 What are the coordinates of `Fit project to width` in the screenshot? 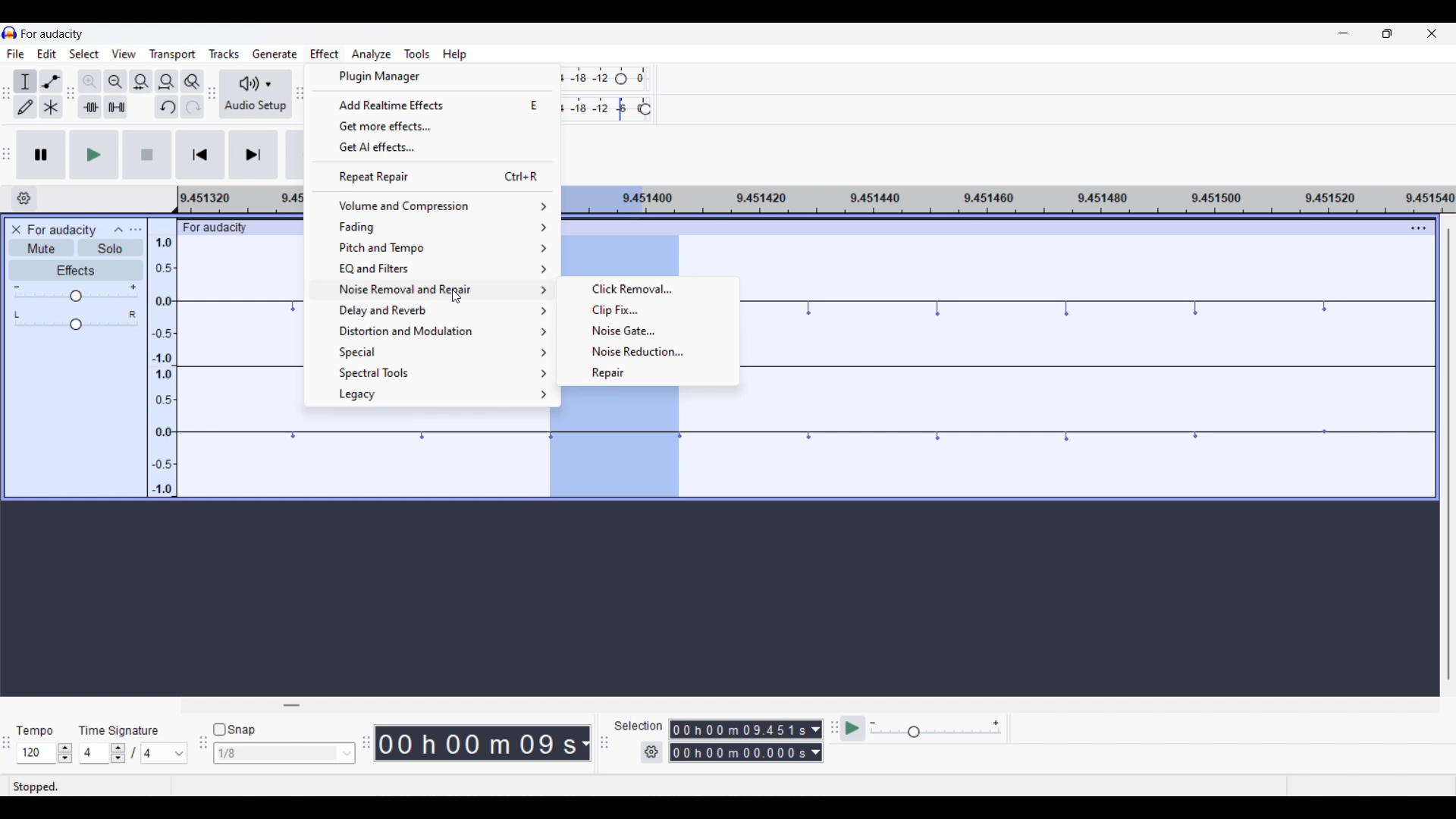 It's located at (167, 81).